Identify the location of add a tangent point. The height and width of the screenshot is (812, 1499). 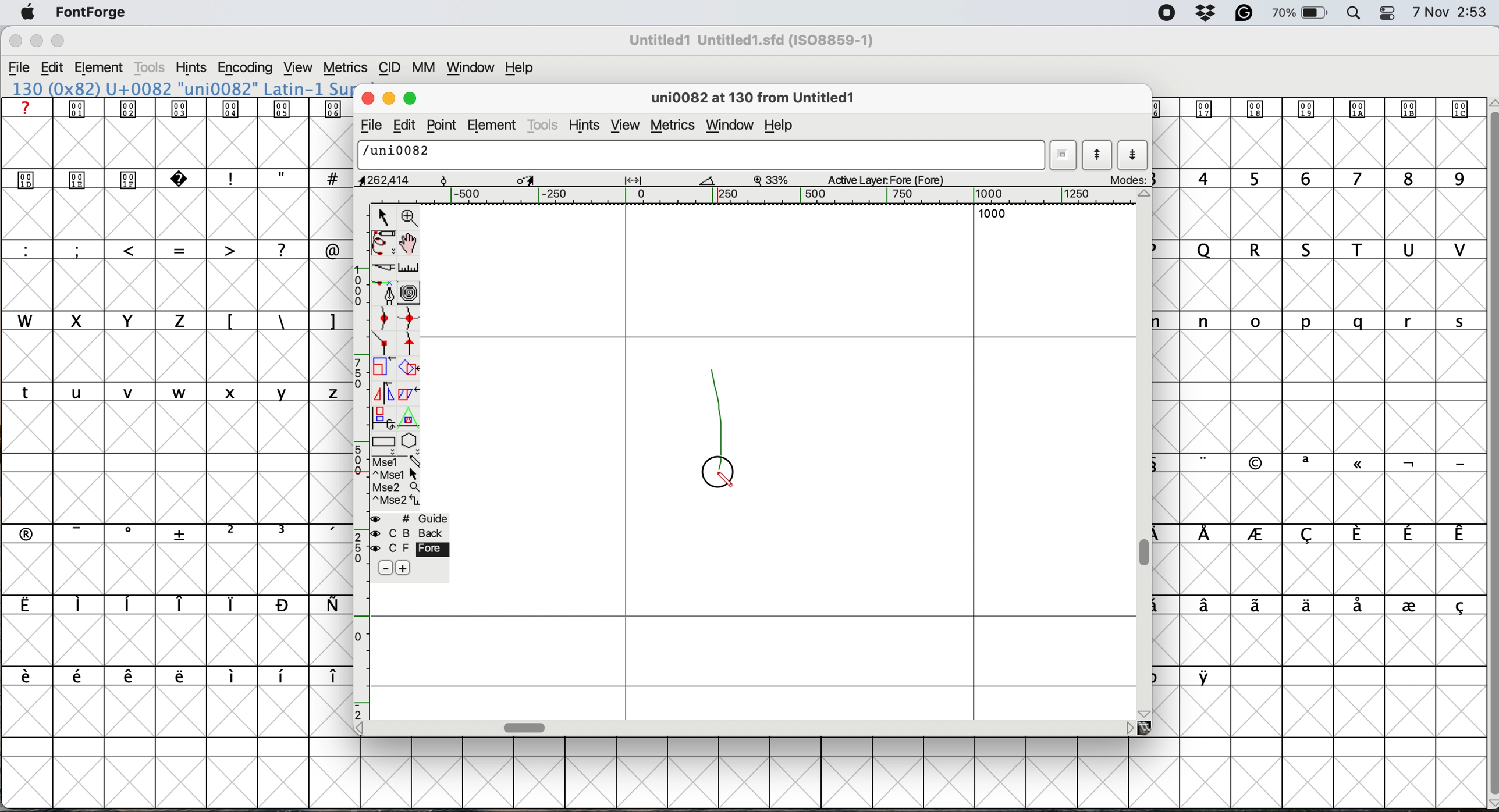
(411, 346).